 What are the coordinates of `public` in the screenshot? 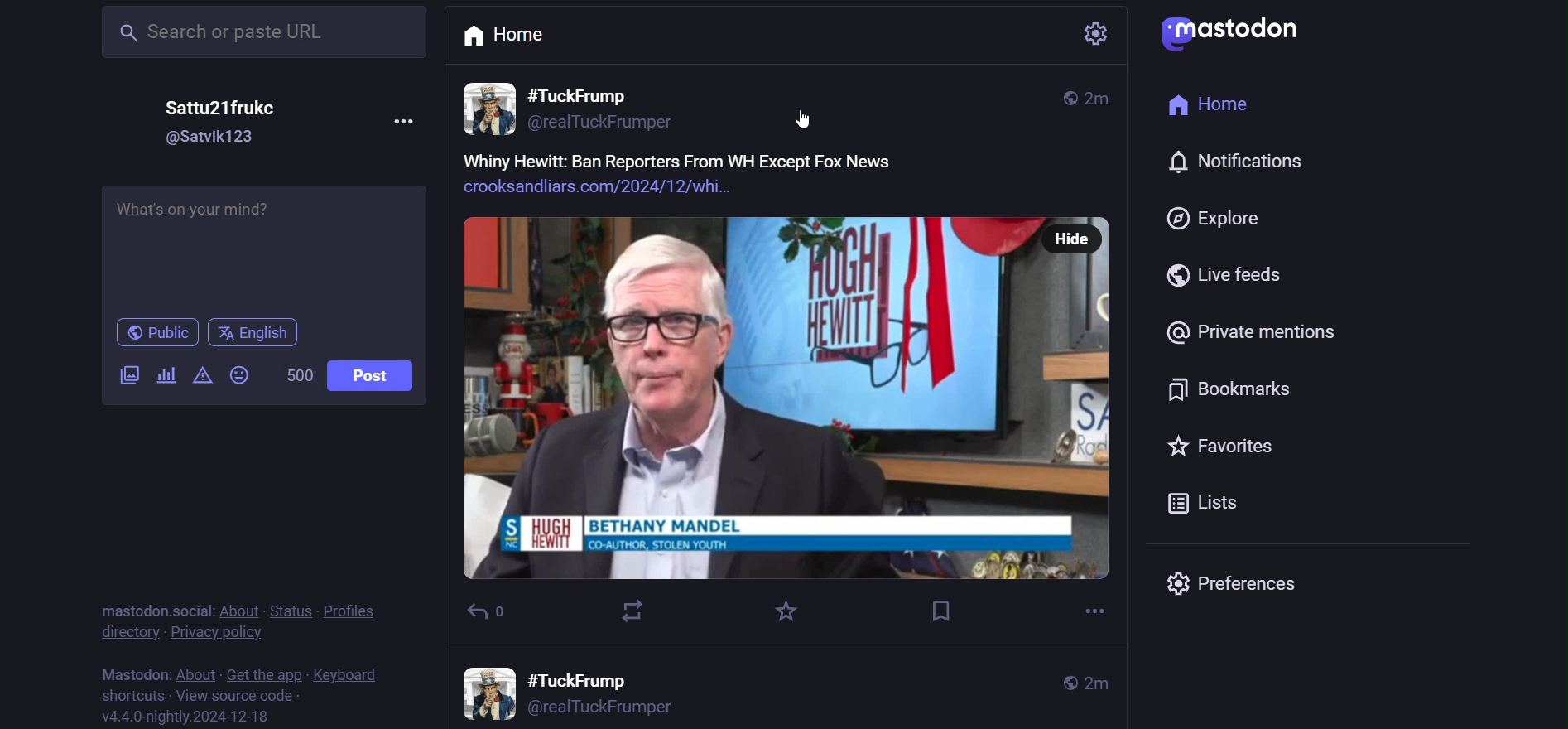 It's located at (156, 332).